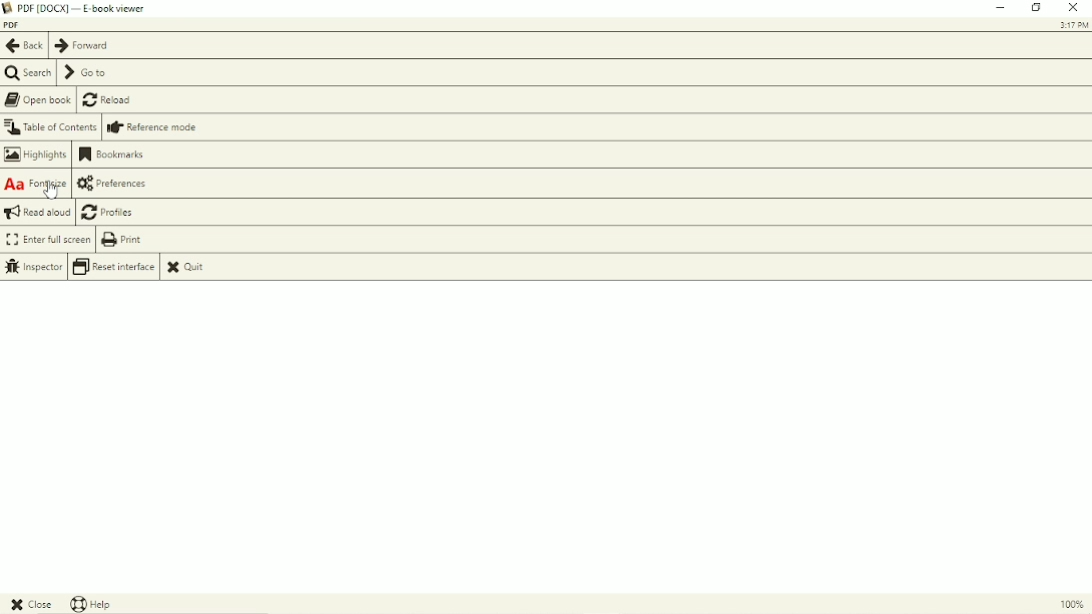  I want to click on Close, so click(1074, 9).